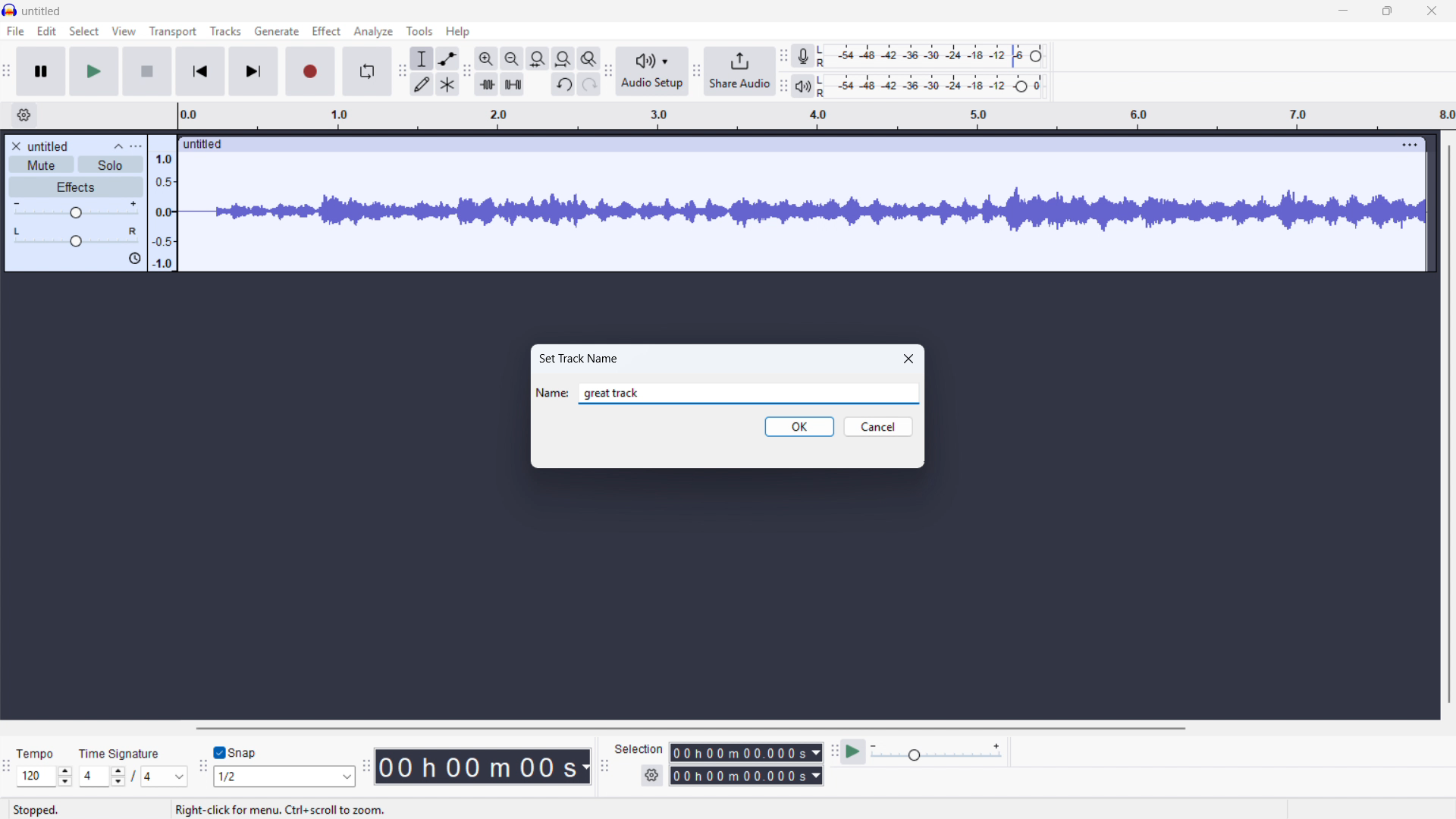 Image resolution: width=1456 pixels, height=819 pixels. Describe the element at coordinates (603, 766) in the screenshot. I see `Selection toolbar ` at that location.